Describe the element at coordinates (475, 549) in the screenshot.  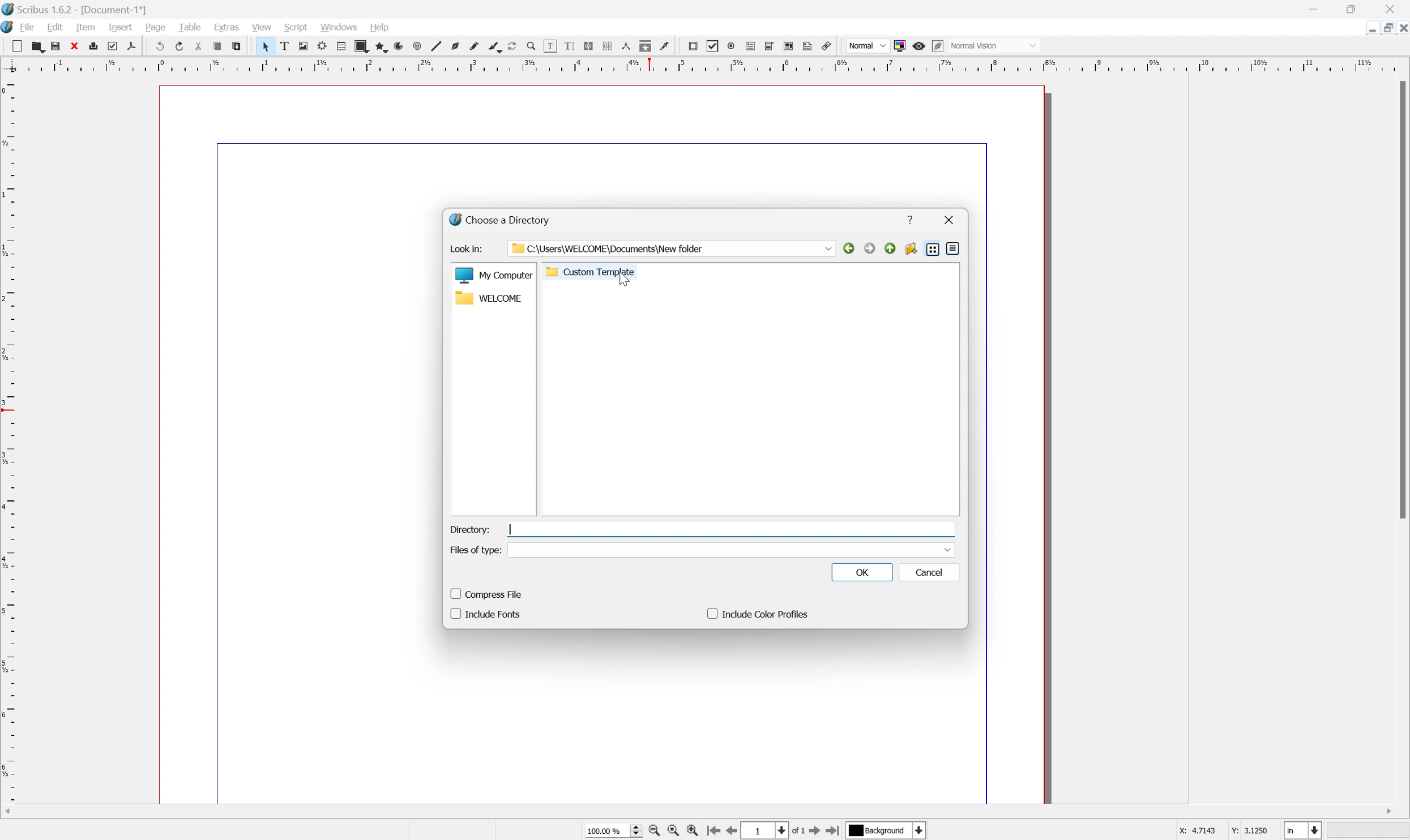
I see `Files of type:` at that location.